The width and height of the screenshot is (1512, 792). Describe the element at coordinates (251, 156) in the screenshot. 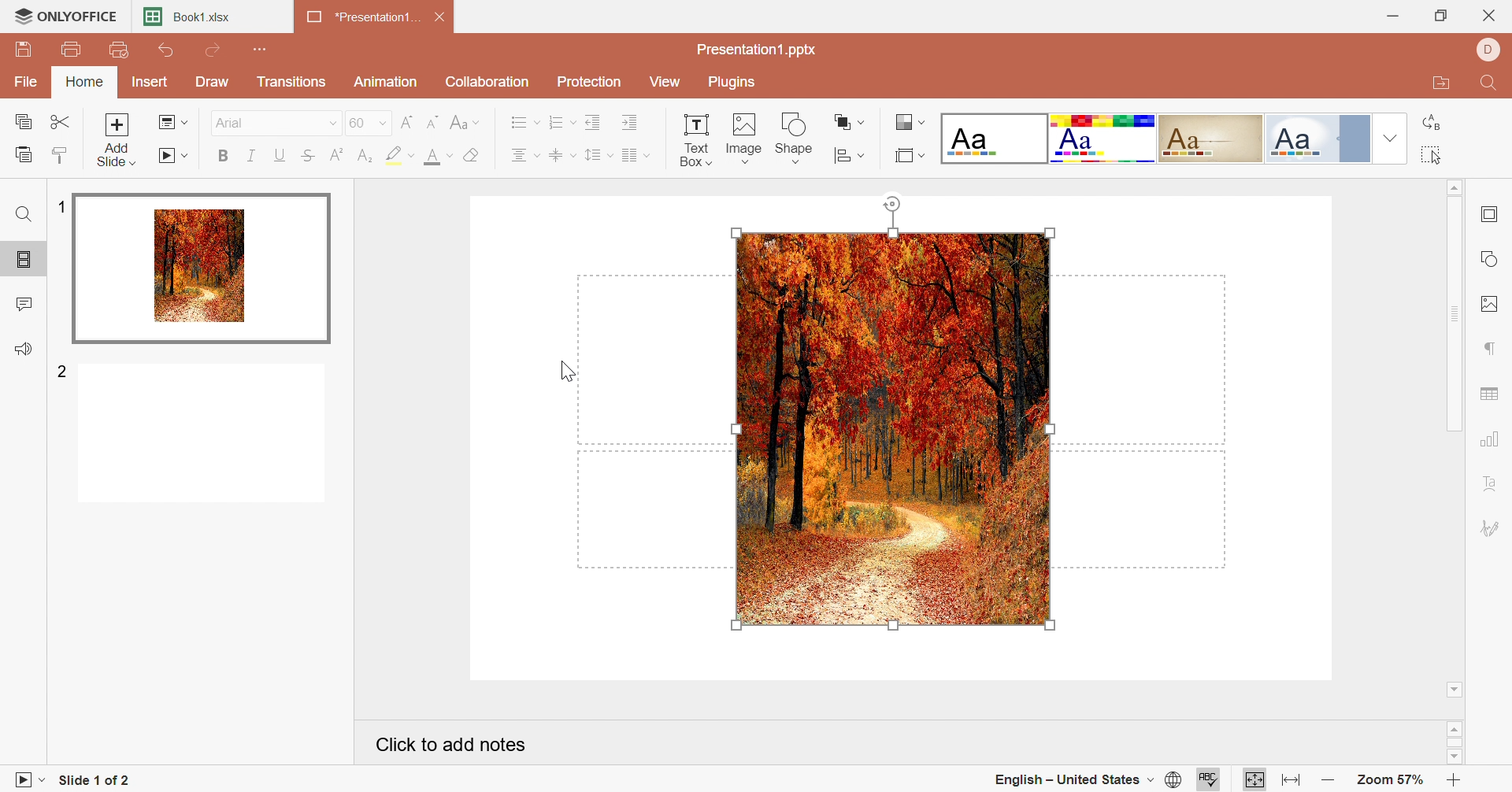

I see `Italic` at that location.